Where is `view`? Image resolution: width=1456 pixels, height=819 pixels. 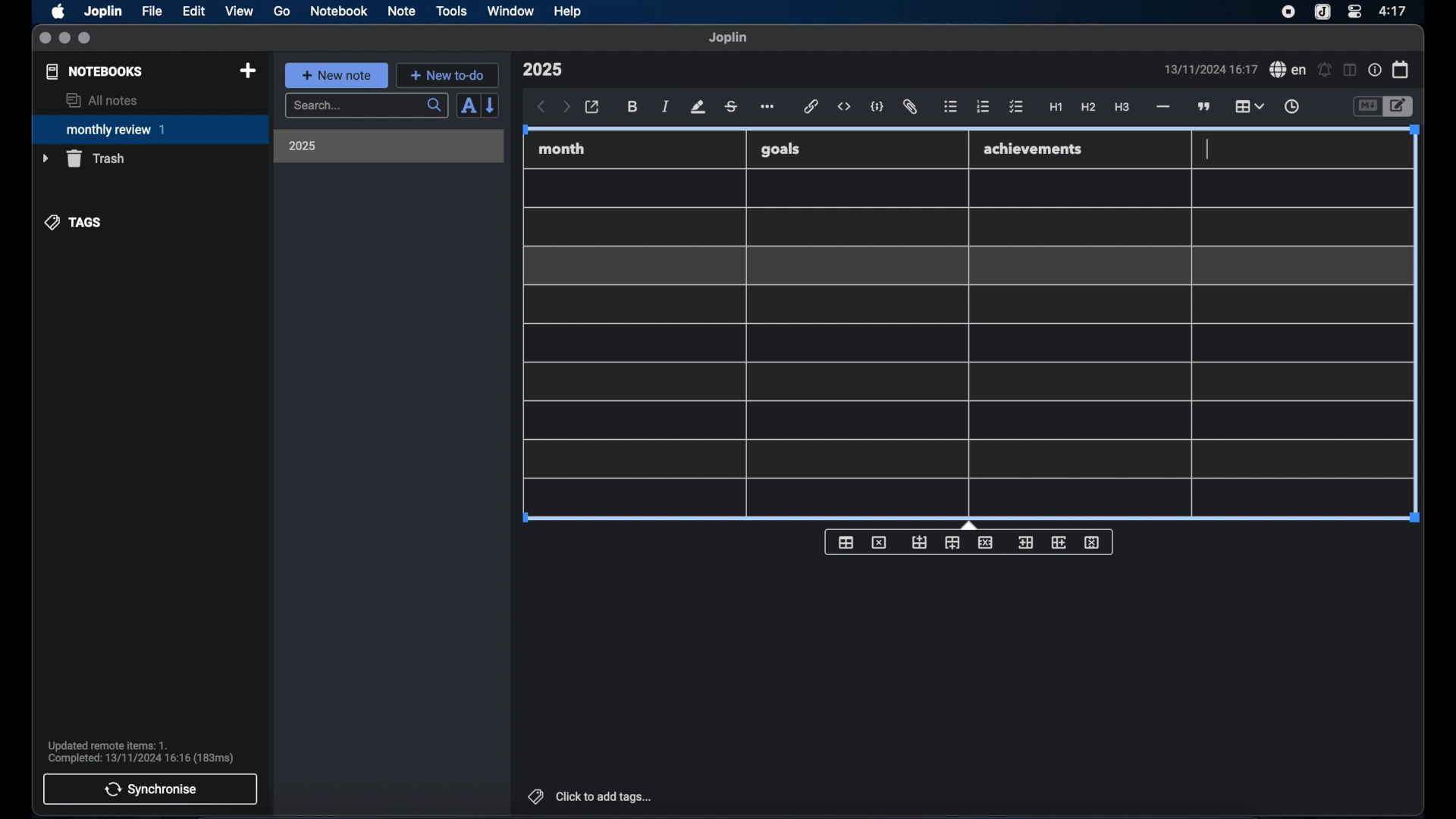 view is located at coordinates (239, 11).